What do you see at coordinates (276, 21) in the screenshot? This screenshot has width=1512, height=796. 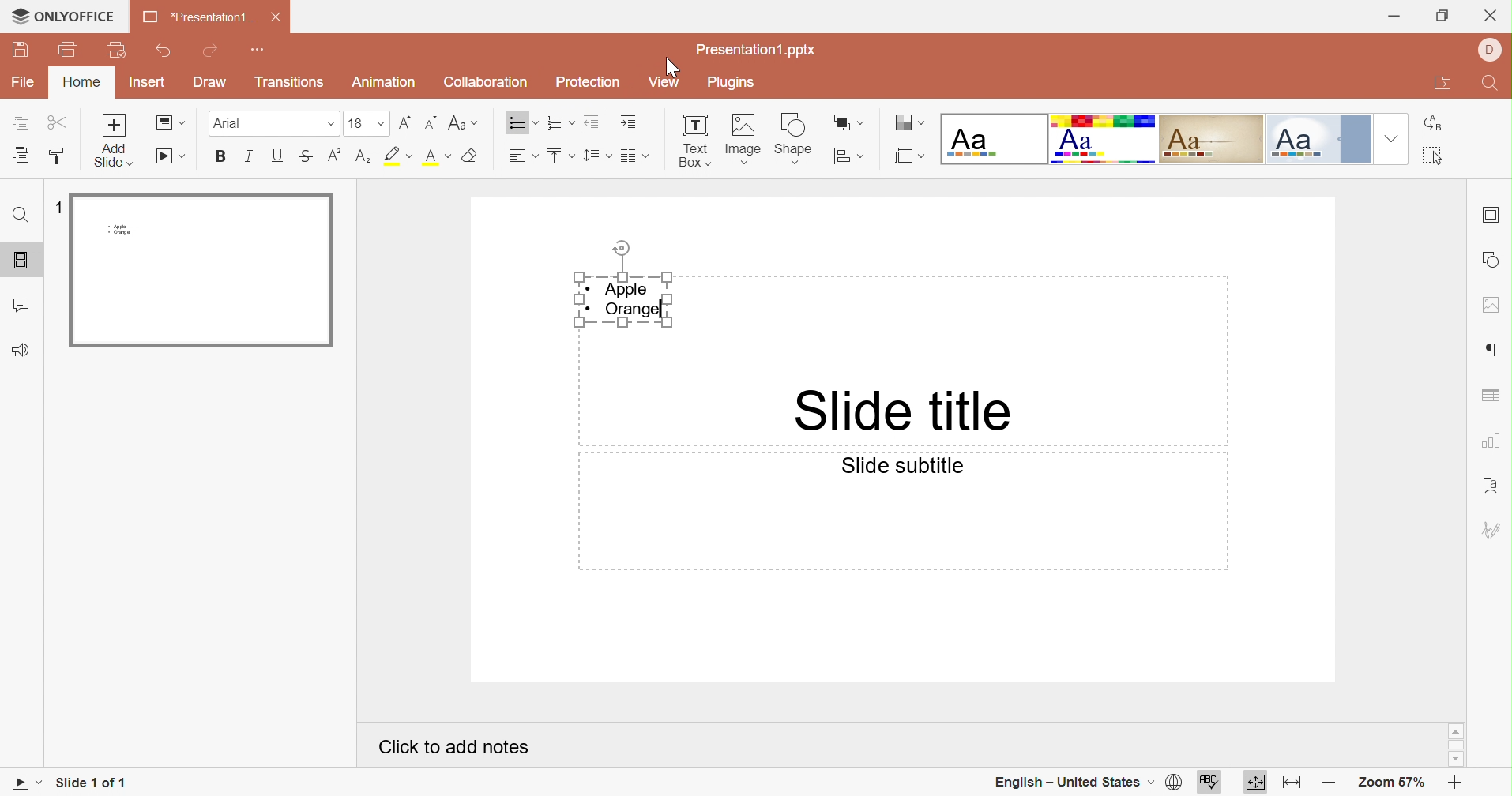 I see `Close` at bounding box center [276, 21].